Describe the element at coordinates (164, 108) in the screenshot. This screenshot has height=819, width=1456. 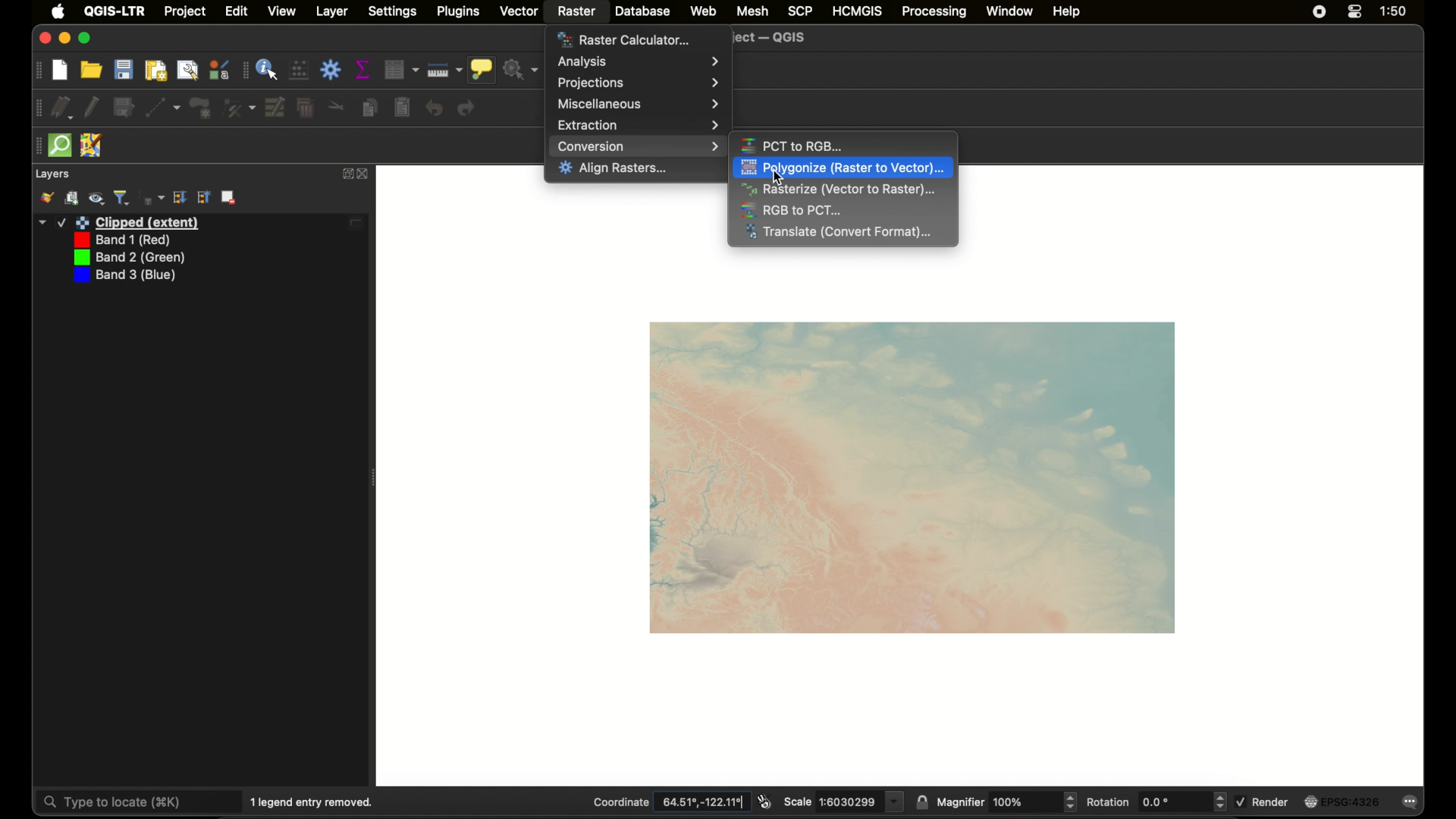
I see `digitize with segment` at that location.